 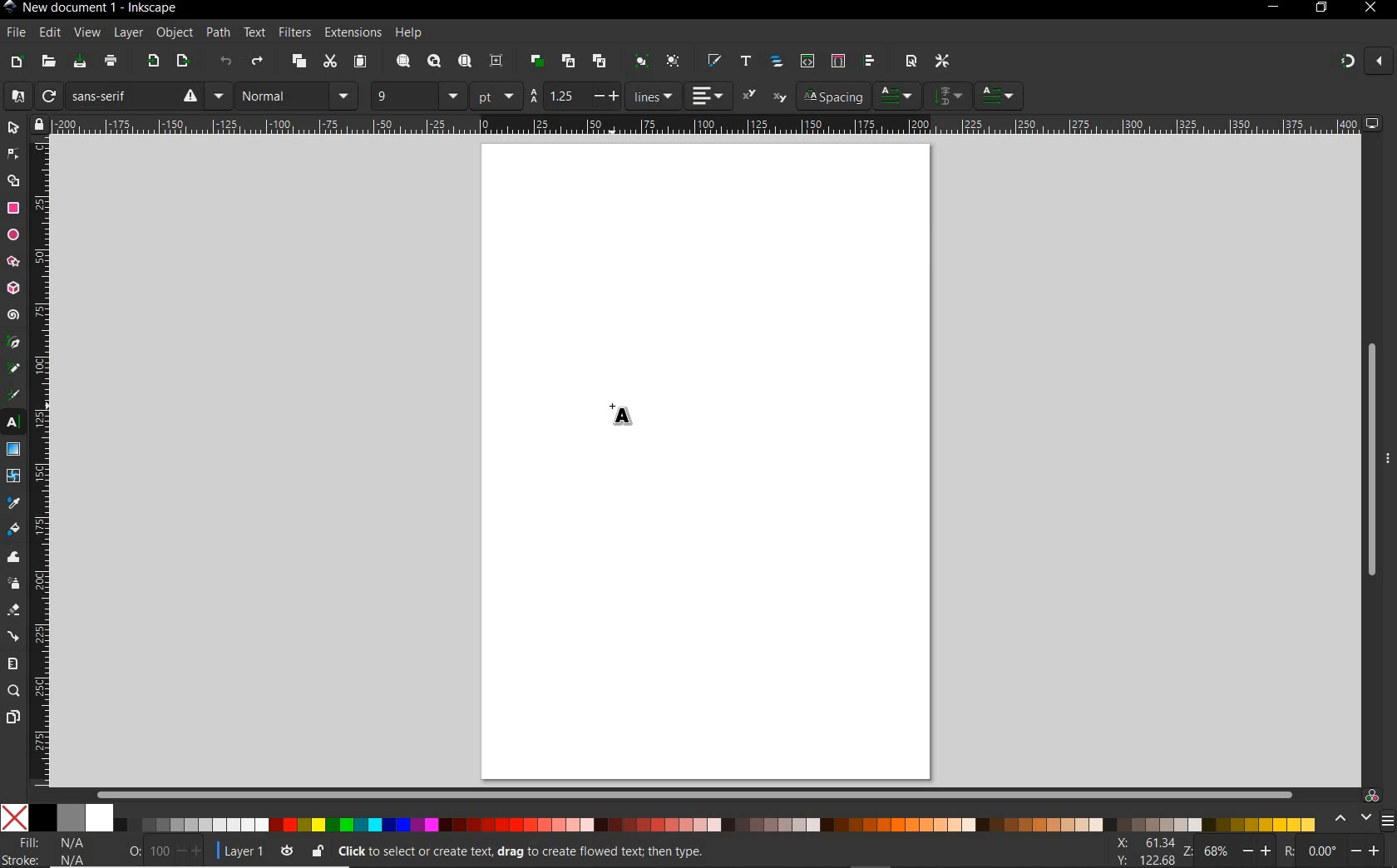 What do you see at coordinates (360, 62) in the screenshot?
I see `paste` at bounding box center [360, 62].